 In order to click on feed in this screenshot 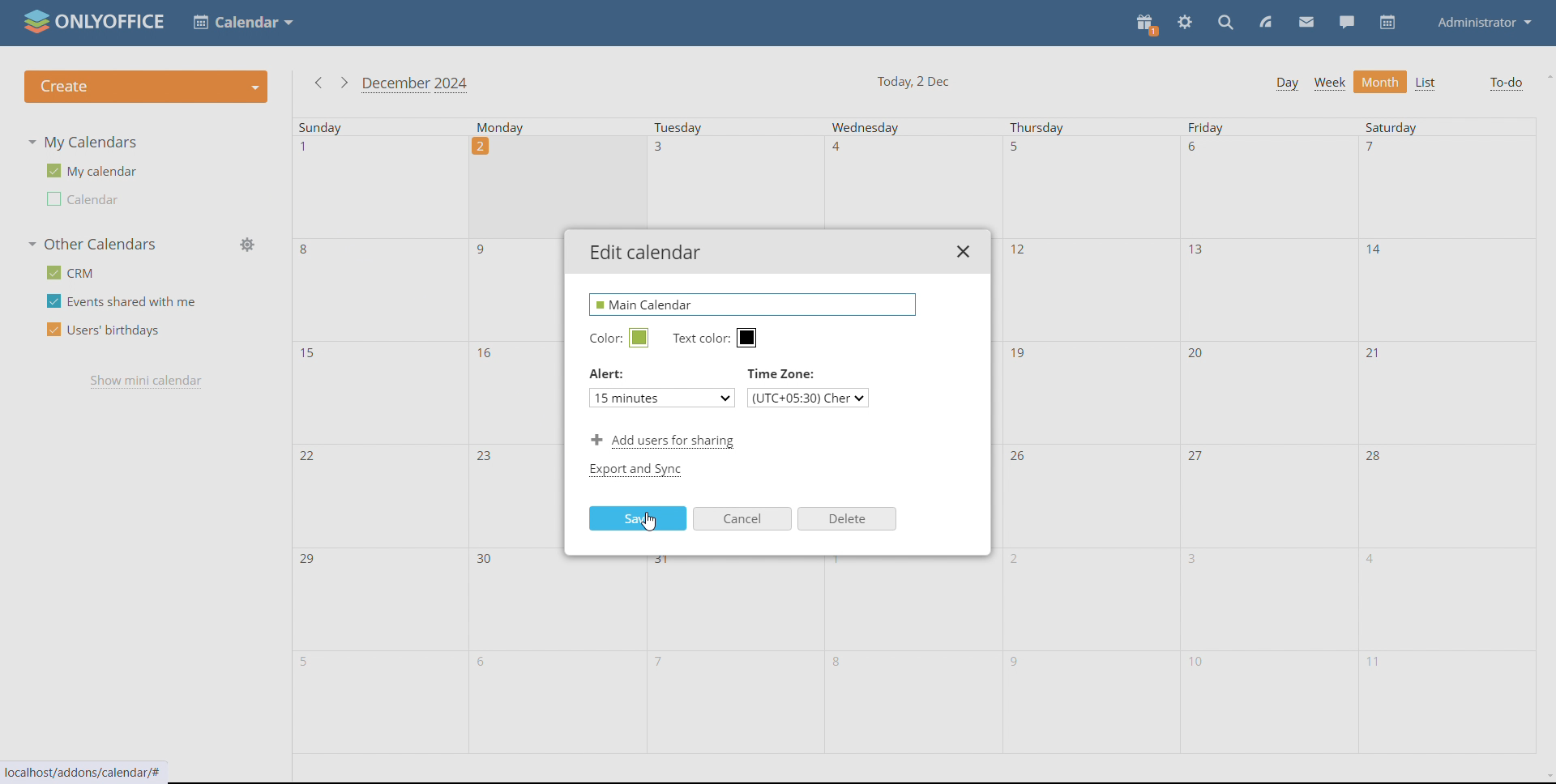, I will do `click(1267, 24)`.